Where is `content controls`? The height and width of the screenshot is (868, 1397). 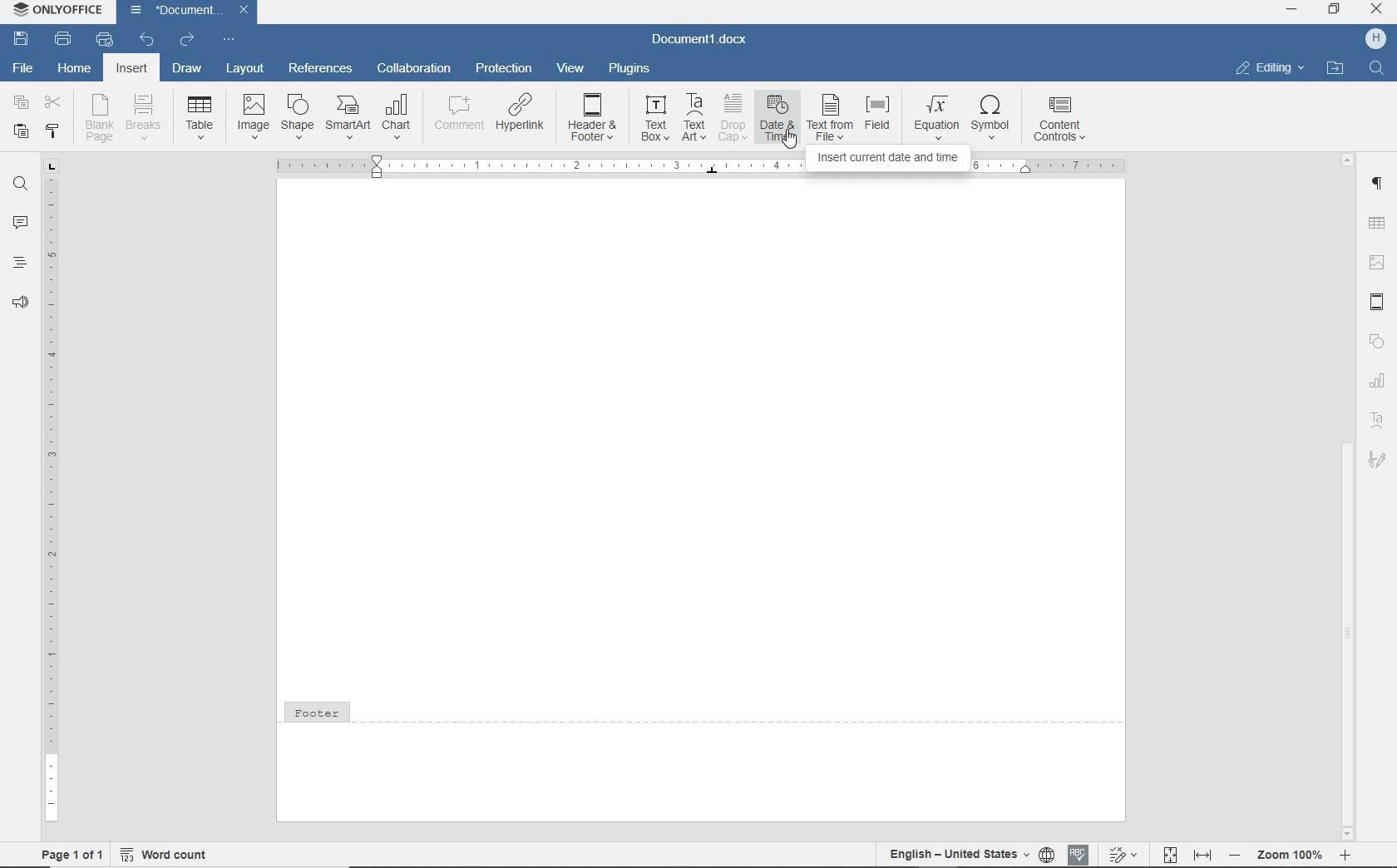 content controls is located at coordinates (1063, 121).